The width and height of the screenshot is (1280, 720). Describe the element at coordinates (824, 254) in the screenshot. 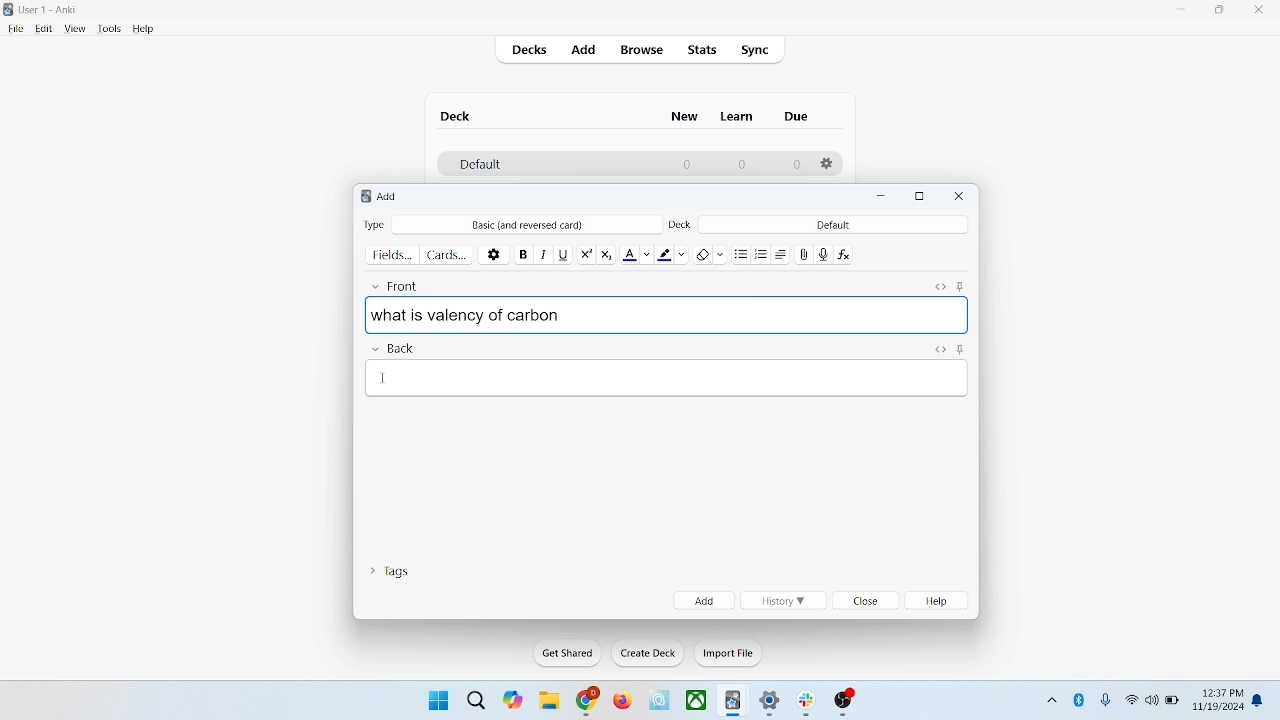

I see `record audio` at that location.